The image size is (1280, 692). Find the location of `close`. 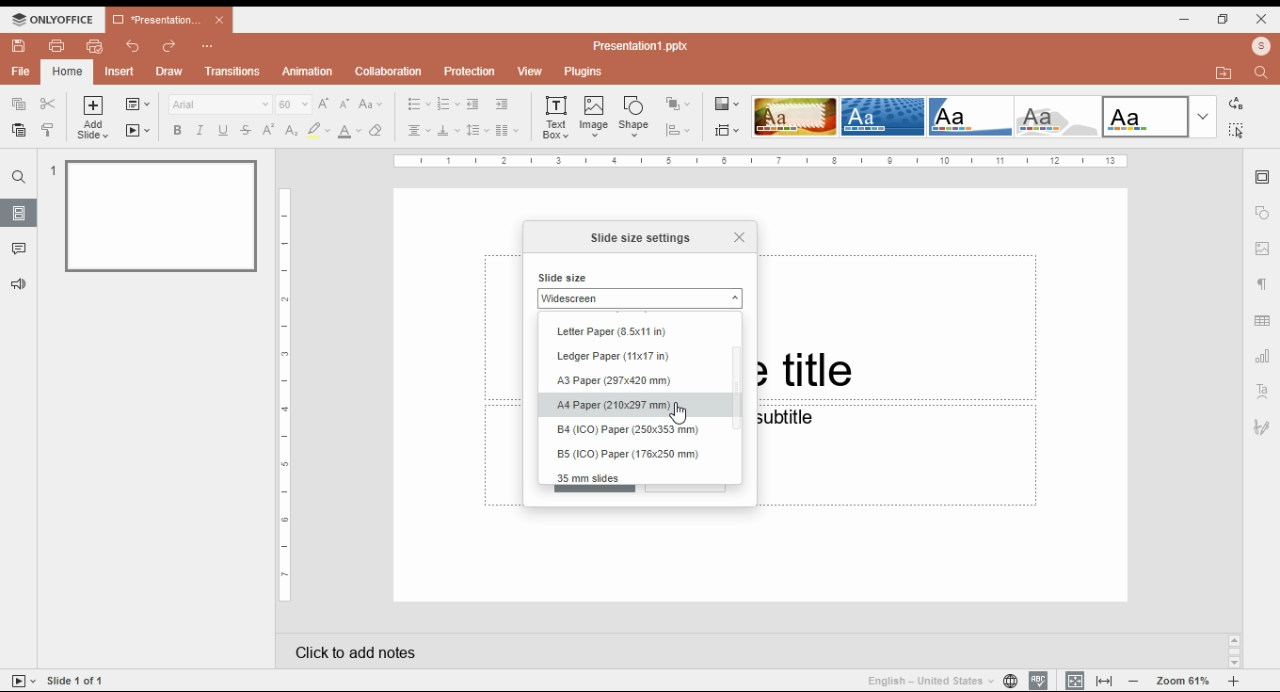

close is located at coordinates (1262, 18).